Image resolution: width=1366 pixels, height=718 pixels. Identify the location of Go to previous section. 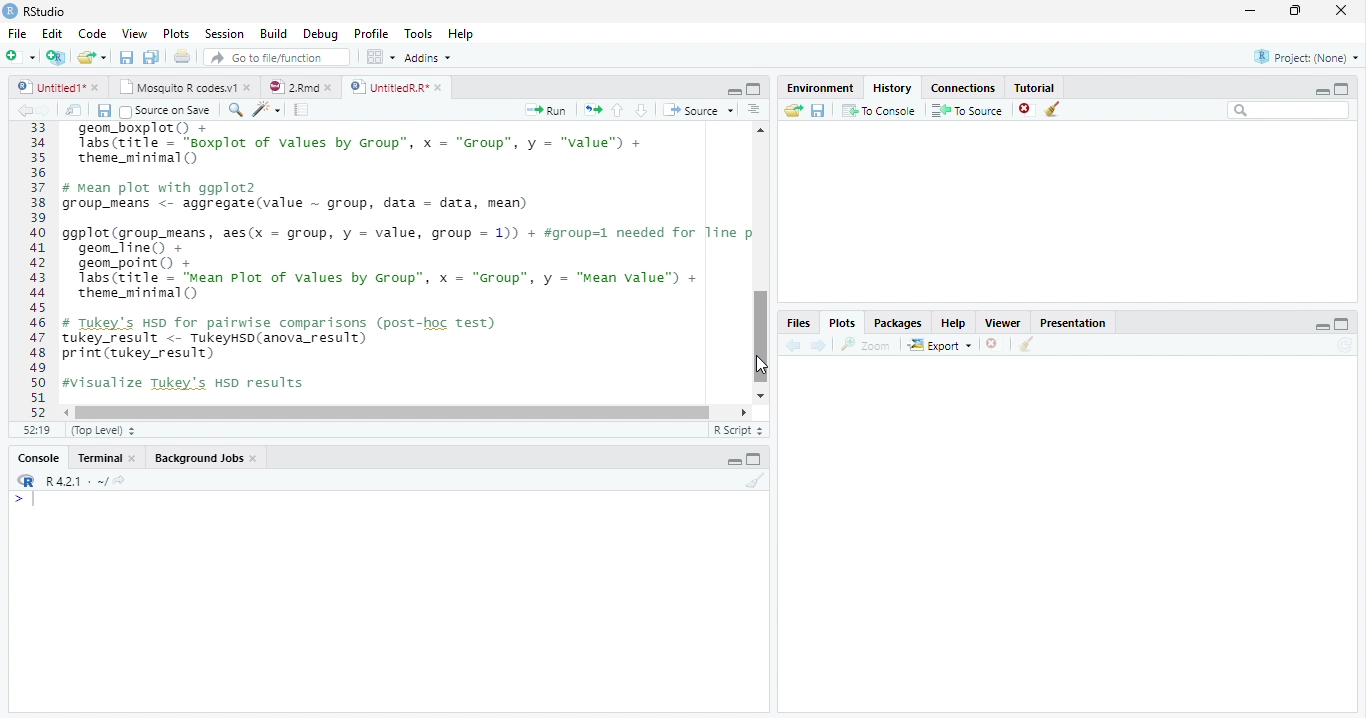
(617, 109).